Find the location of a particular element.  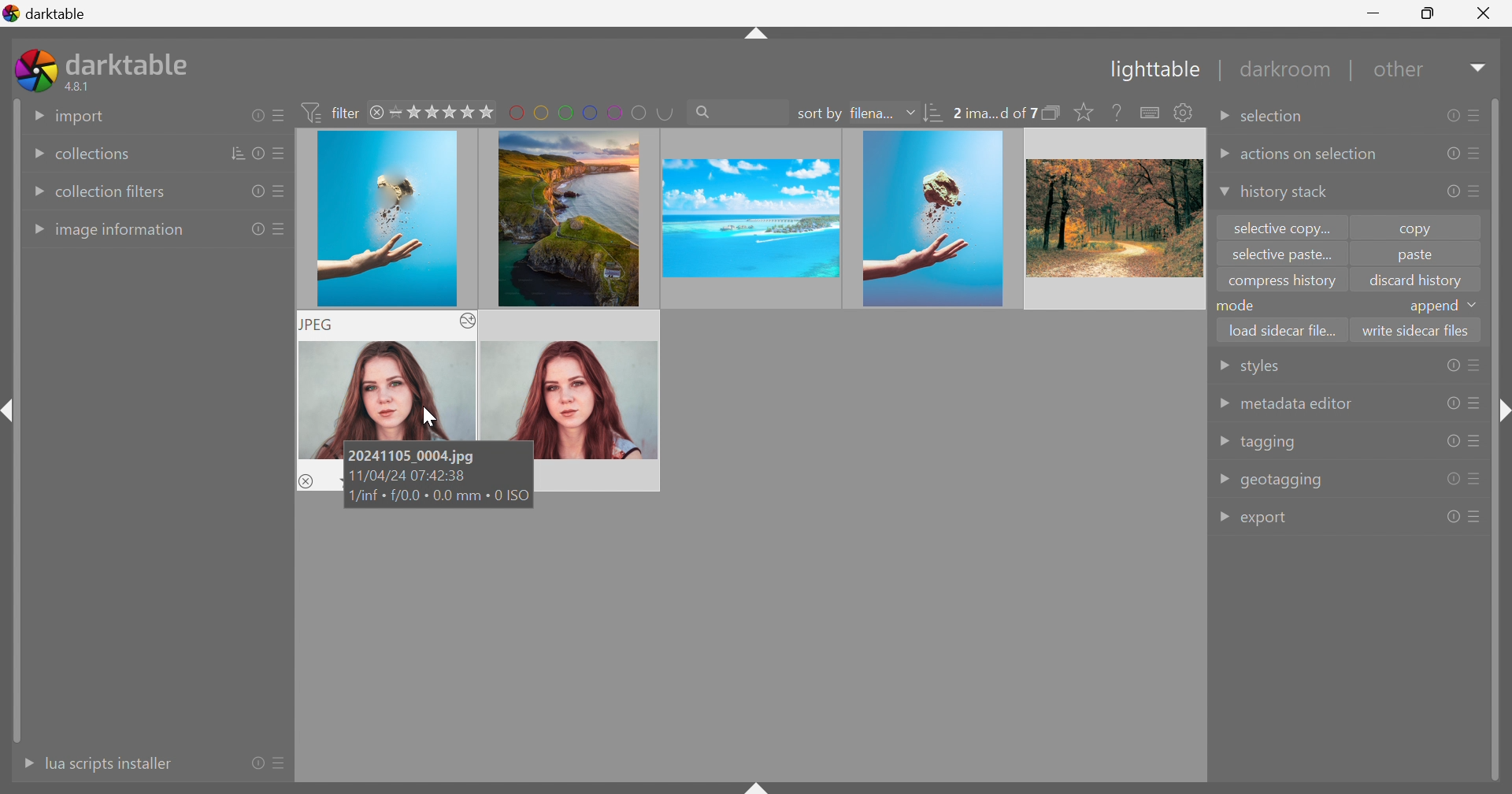

presets is located at coordinates (1478, 190).